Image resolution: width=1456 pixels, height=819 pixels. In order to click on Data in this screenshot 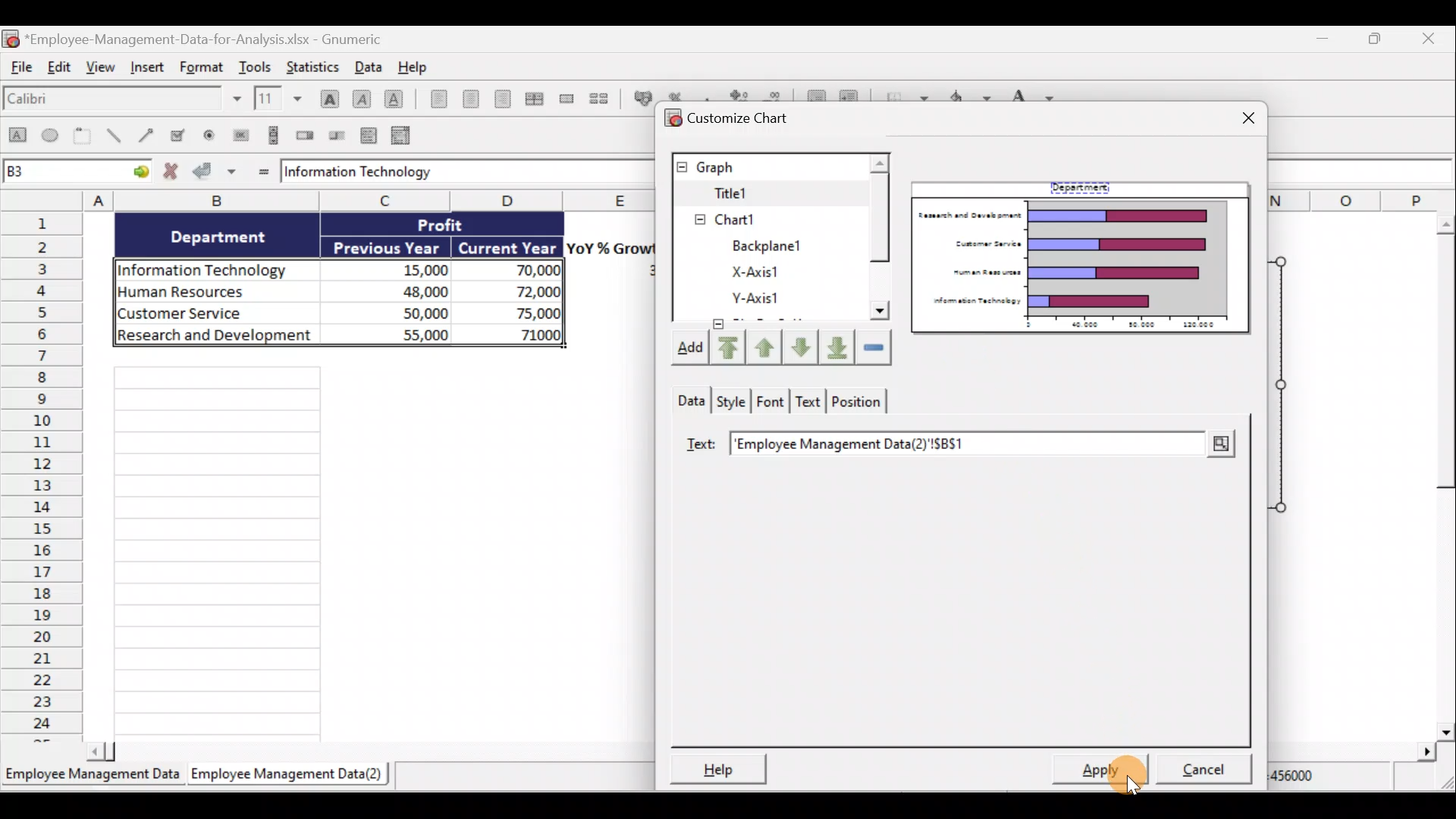, I will do `click(367, 66)`.